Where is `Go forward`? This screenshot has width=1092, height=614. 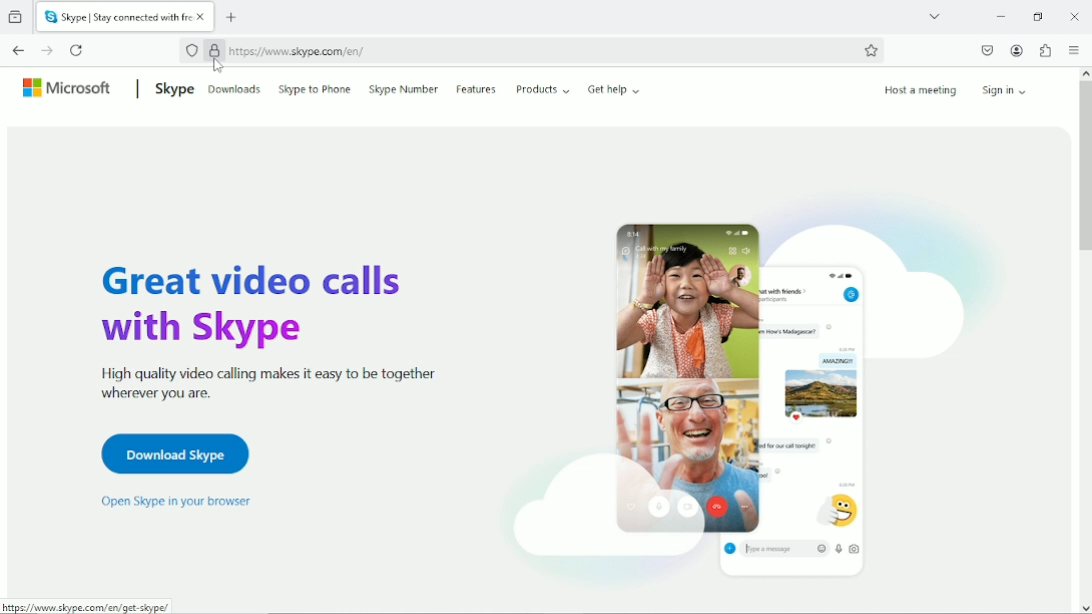
Go forward is located at coordinates (46, 50).